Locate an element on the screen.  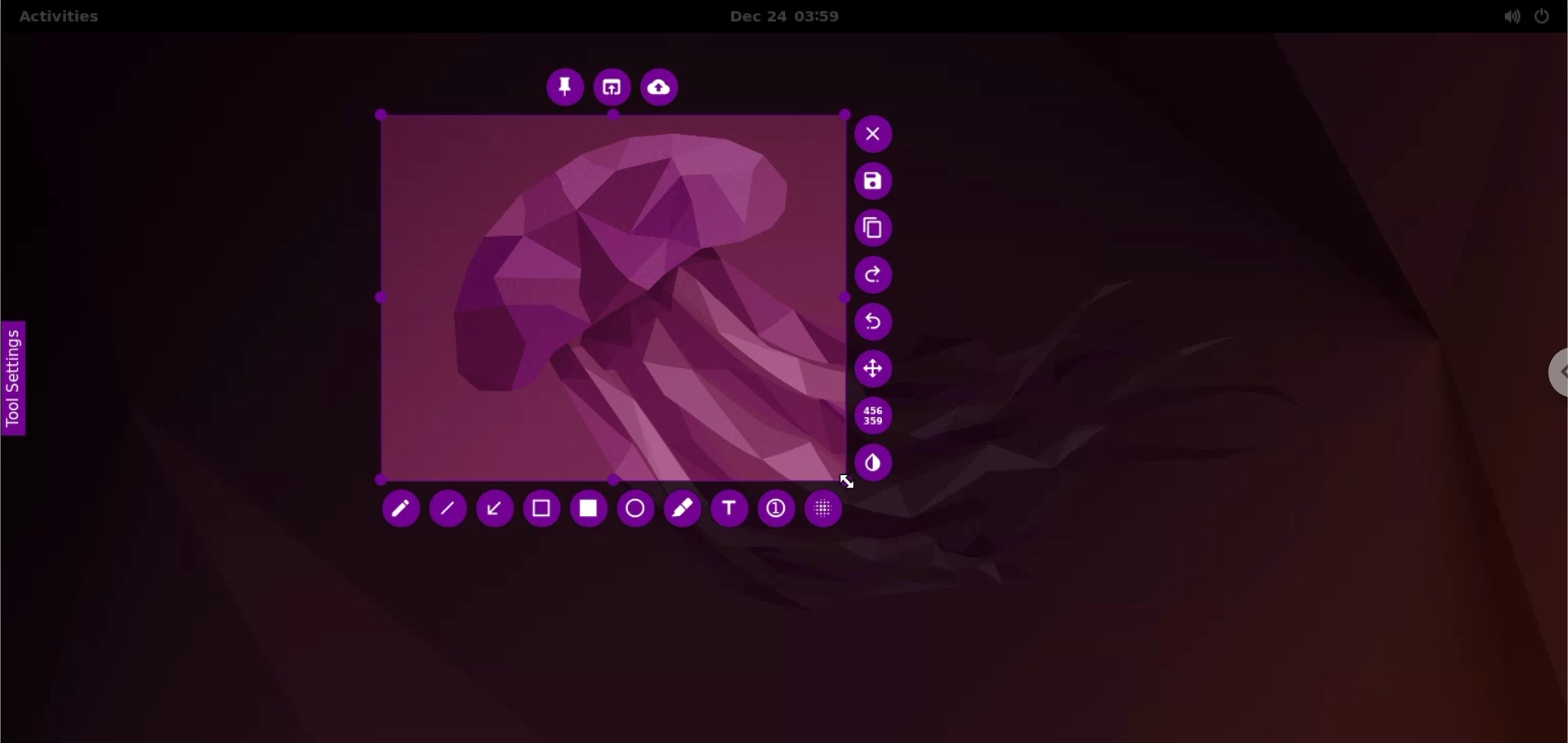
rectangluar selection is located at coordinates (541, 509).